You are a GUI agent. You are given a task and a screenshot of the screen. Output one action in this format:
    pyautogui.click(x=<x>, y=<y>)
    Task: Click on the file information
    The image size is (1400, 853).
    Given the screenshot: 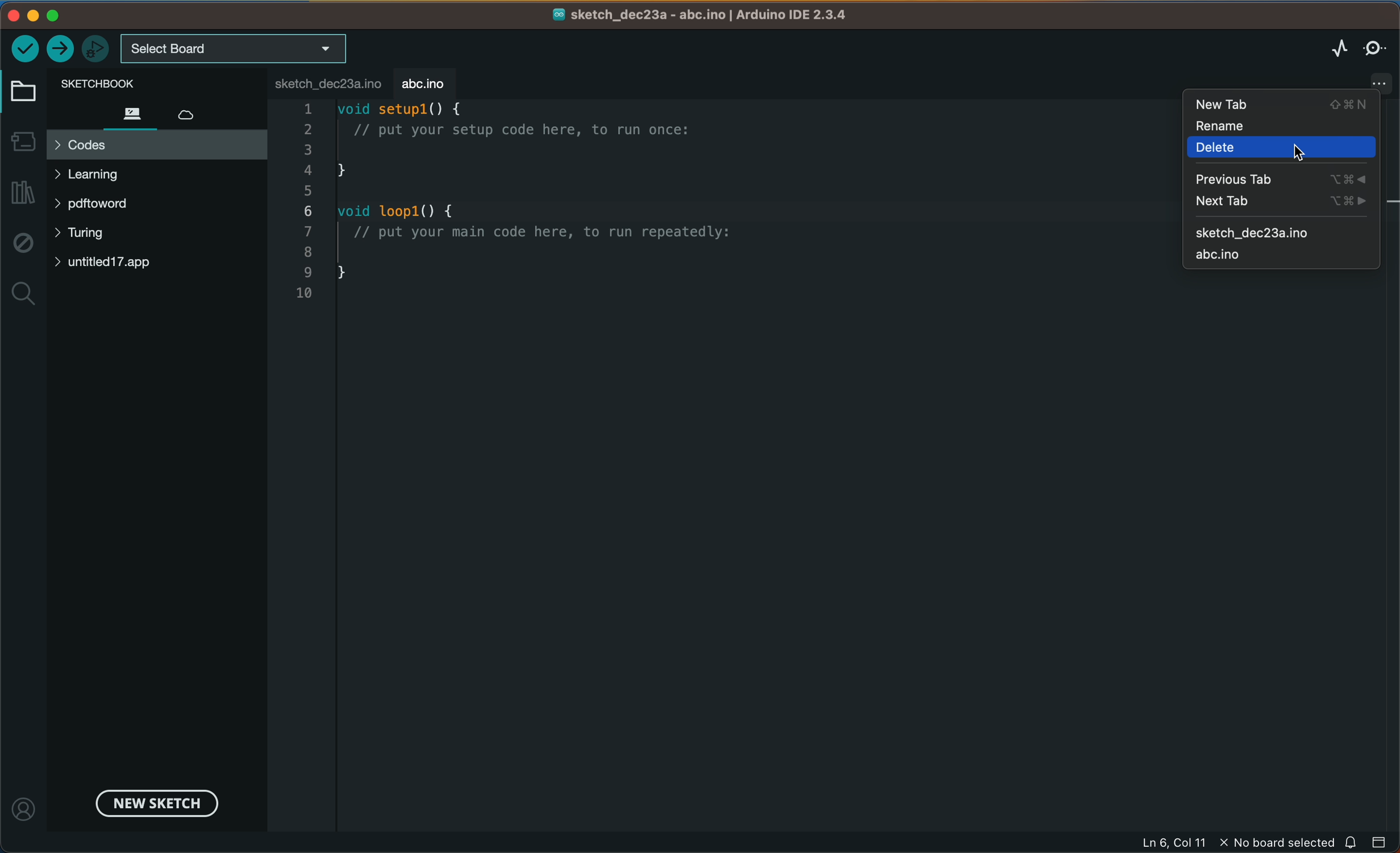 What is the action you would take?
    pyautogui.click(x=1234, y=842)
    